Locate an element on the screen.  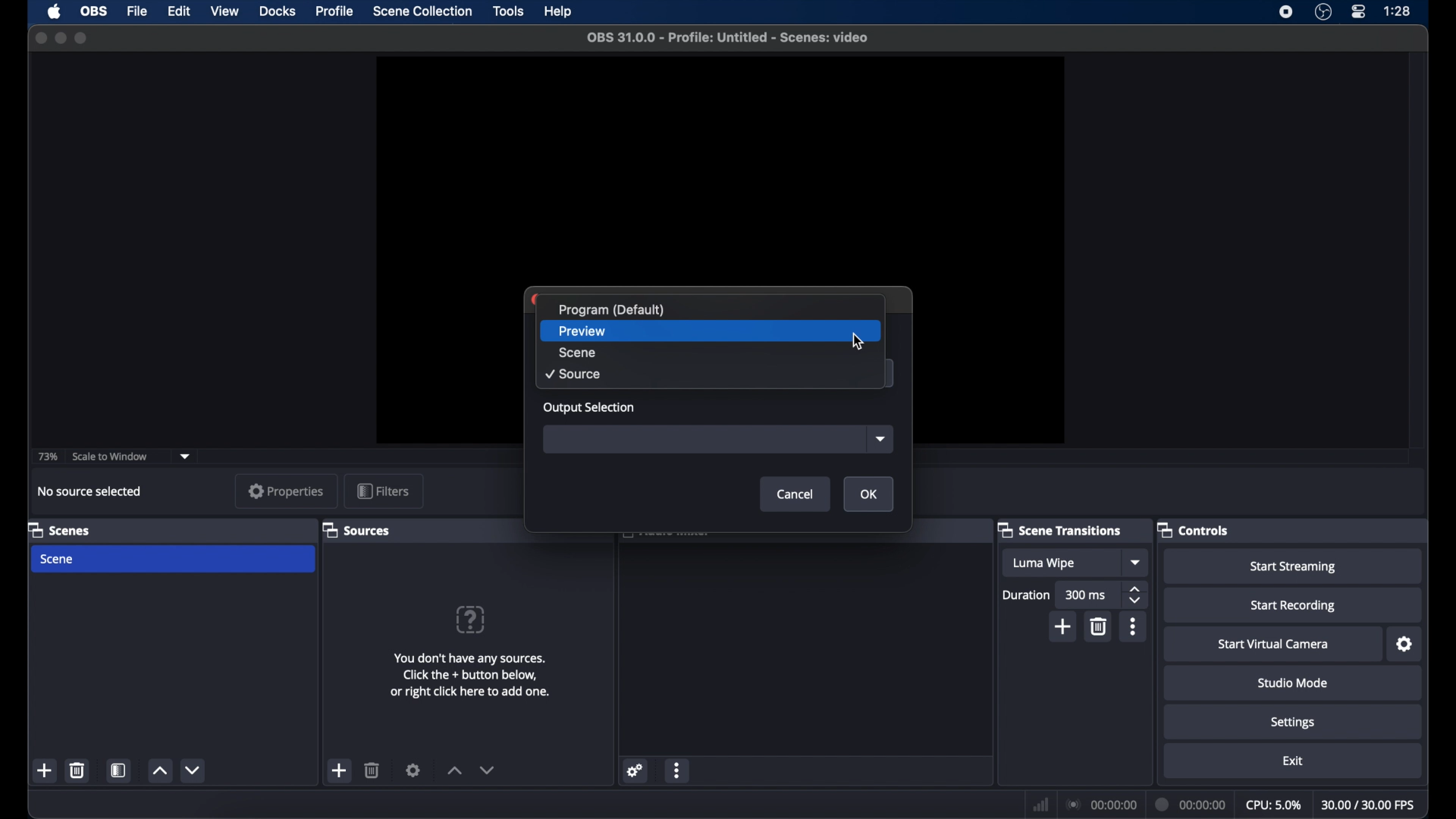
cpu is located at coordinates (1272, 805).